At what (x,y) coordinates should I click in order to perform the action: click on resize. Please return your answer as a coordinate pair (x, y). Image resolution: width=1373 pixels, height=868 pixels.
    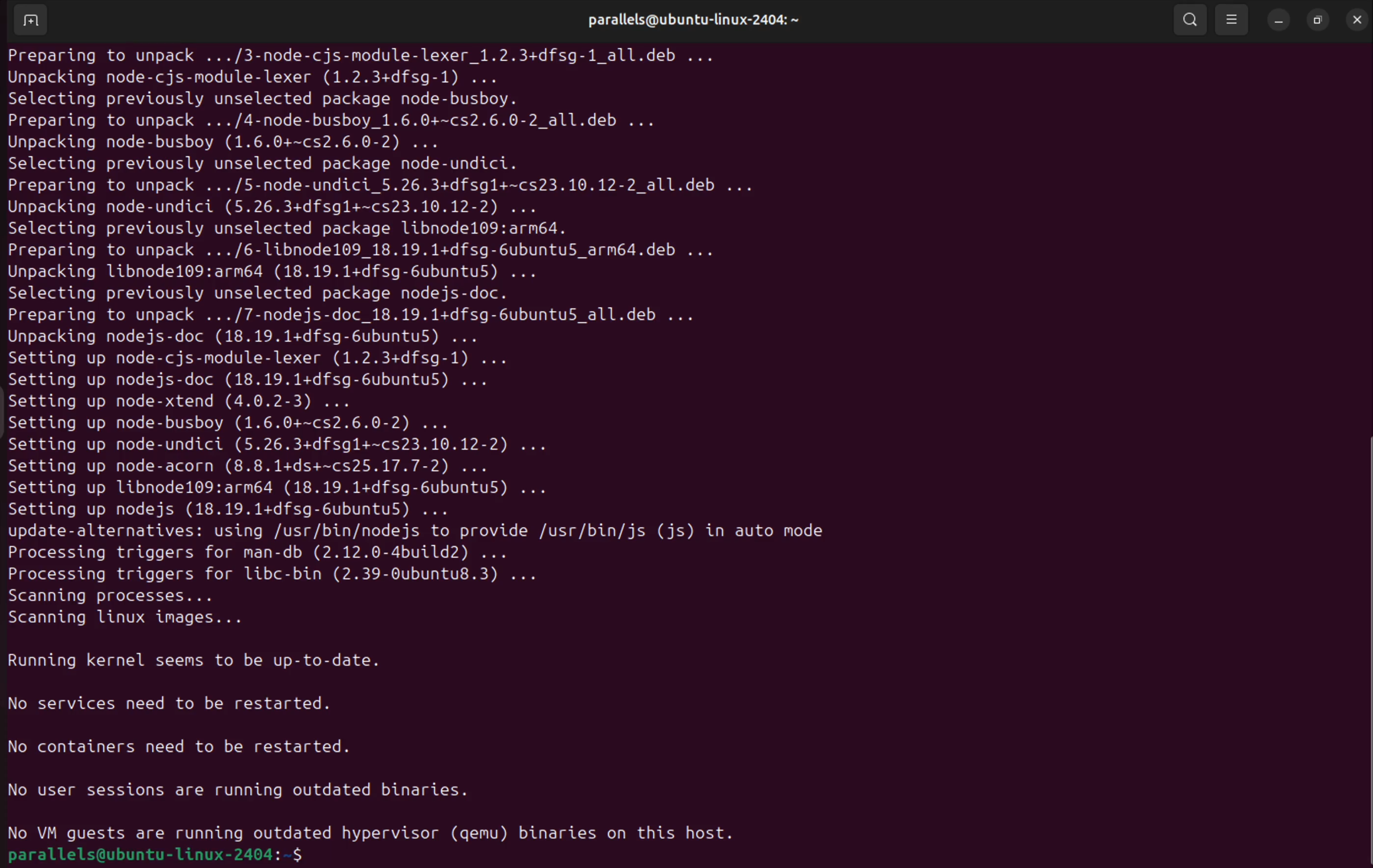
    Looking at the image, I should click on (1317, 20).